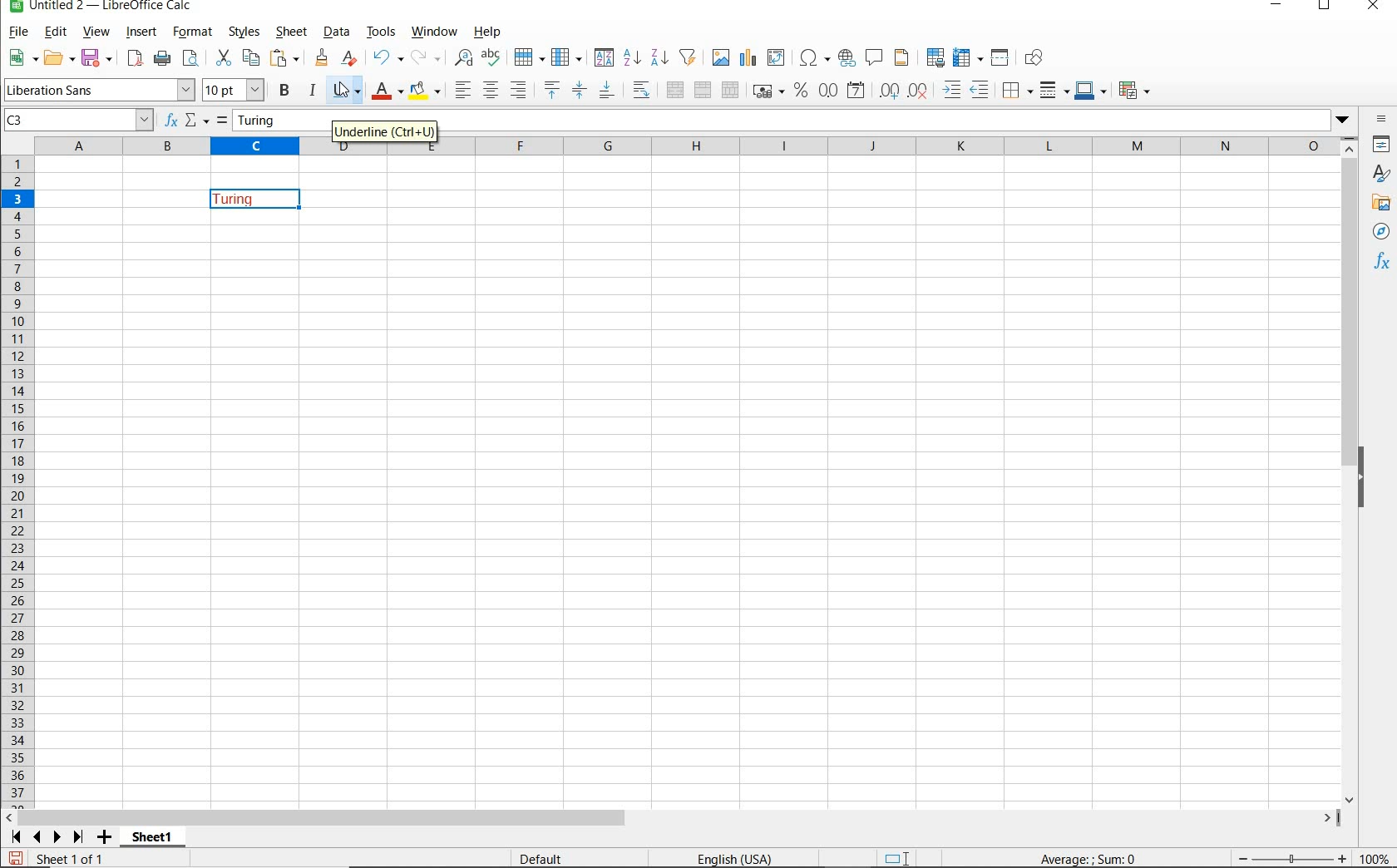 The height and width of the screenshot is (868, 1397). What do you see at coordinates (659, 60) in the screenshot?
I see `SORT DESCENDING` at bounding box center [659, 60].